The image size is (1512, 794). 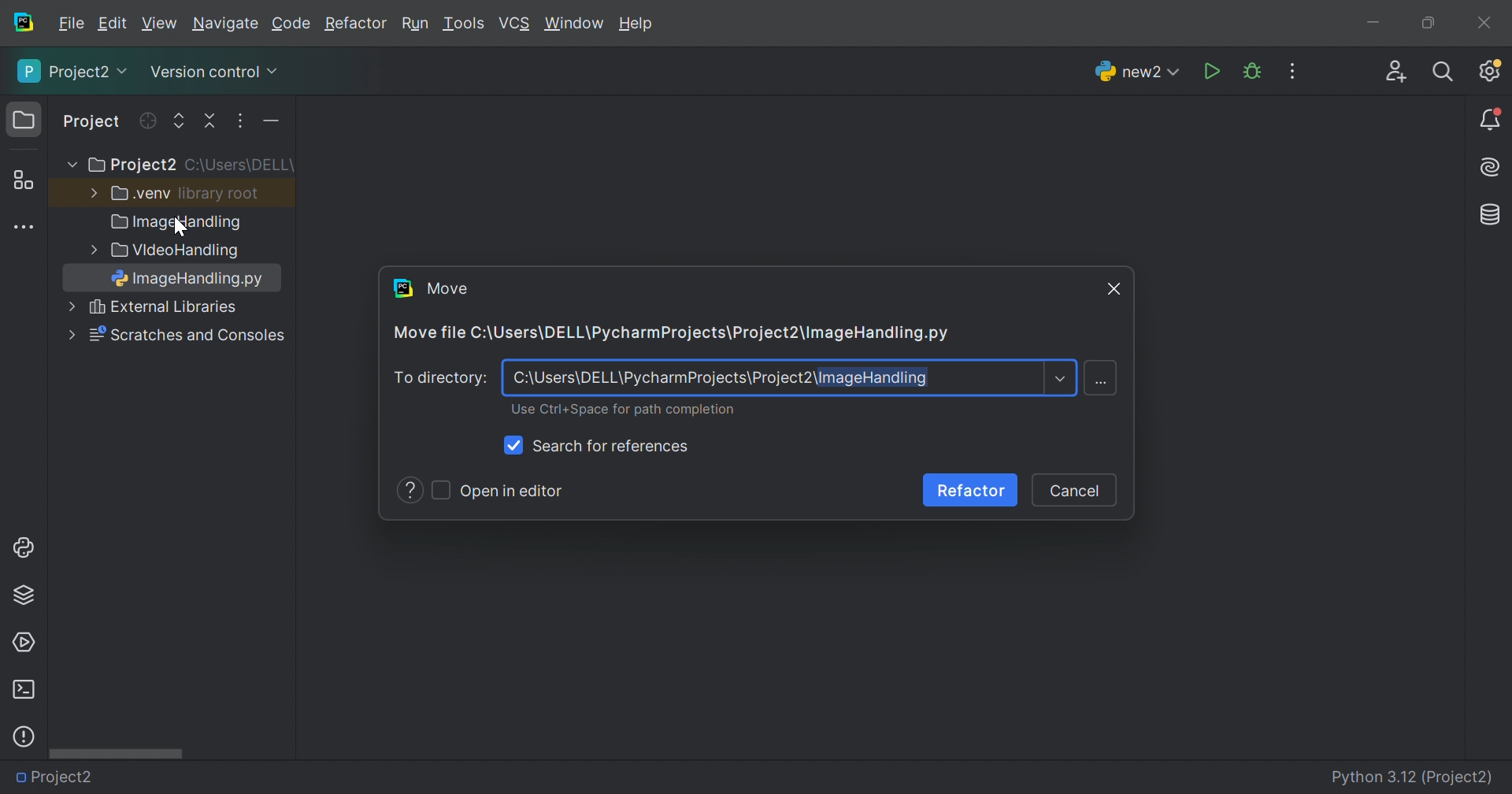 I want to click on Checkbox, so click(x=438, y=488).